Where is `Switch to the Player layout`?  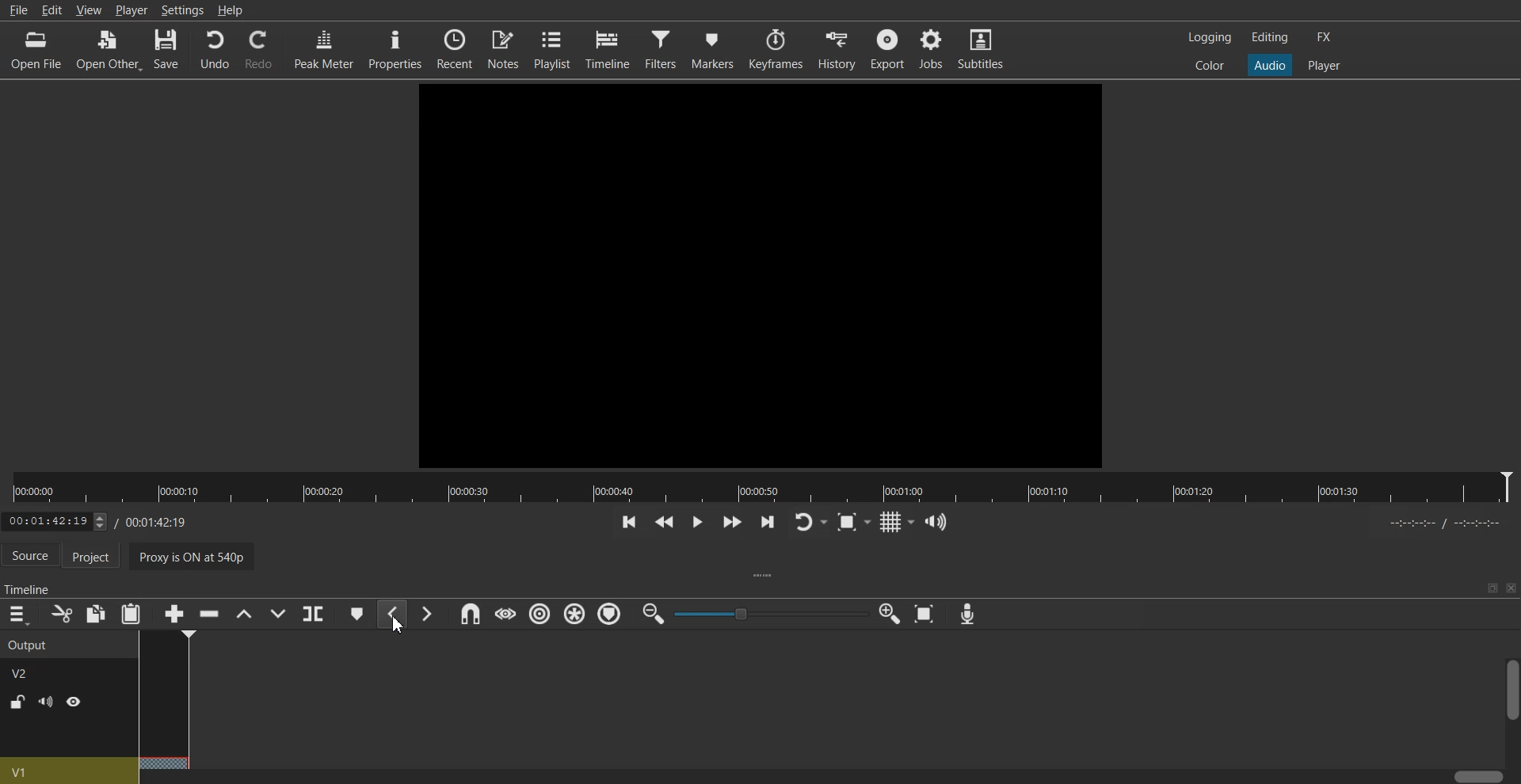
Switch to the Player layout is located at coordinates (1325, 64).